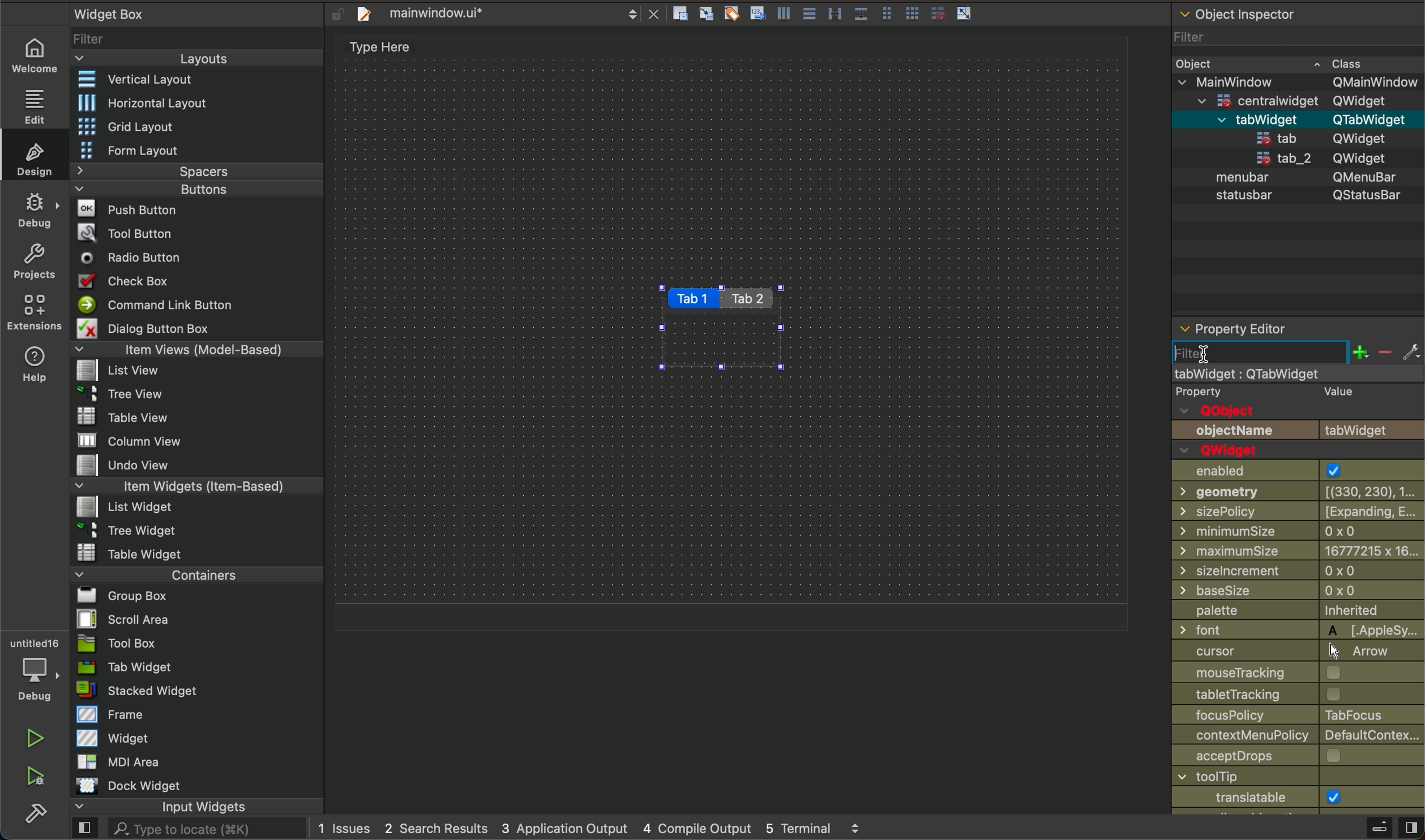 This screenshot has height=840, width=1425. I want to click on debugger, so click(32, 666).